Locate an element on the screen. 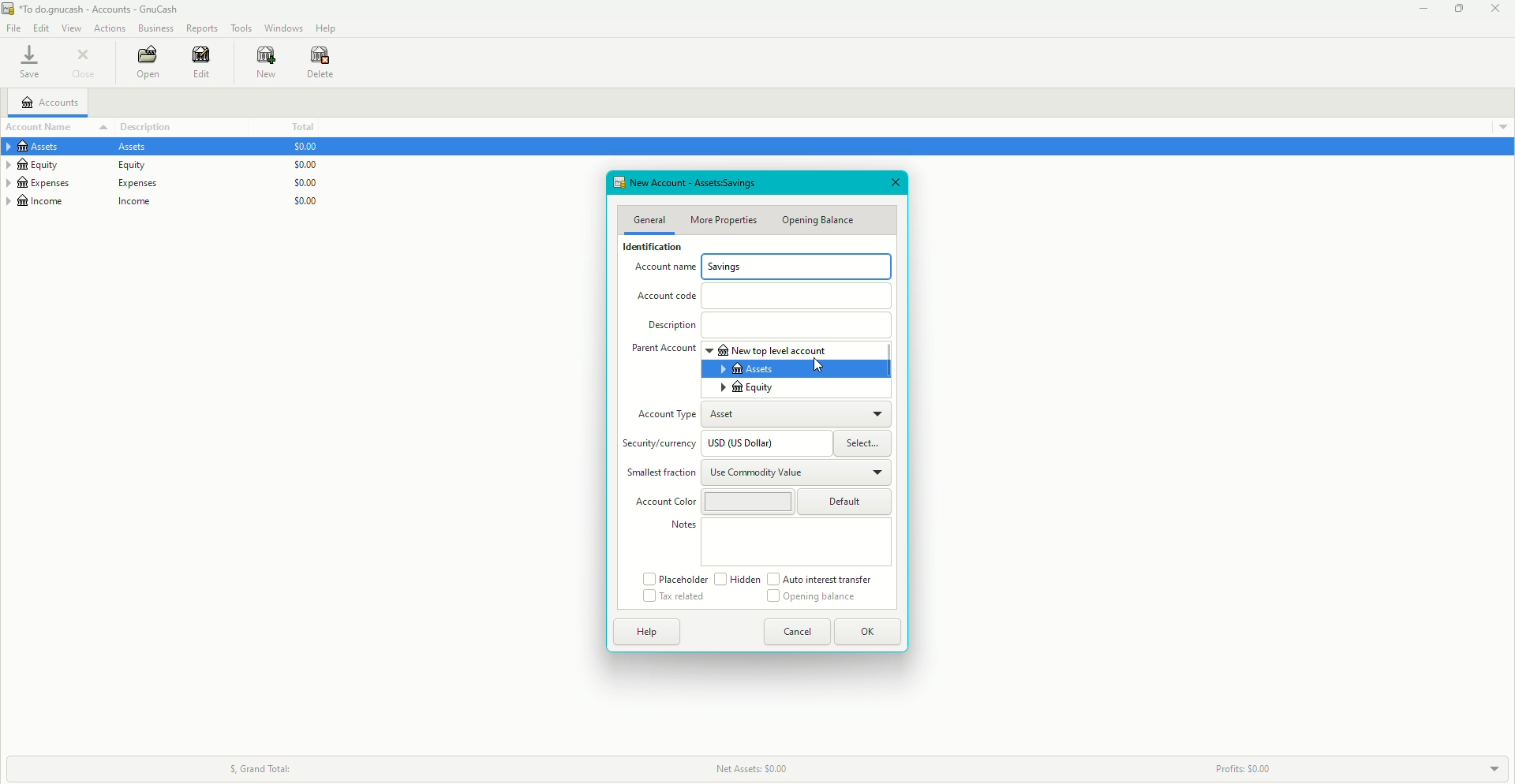 The image size is (1515, 784). Opening Balance is located at coordinates (810, 598).